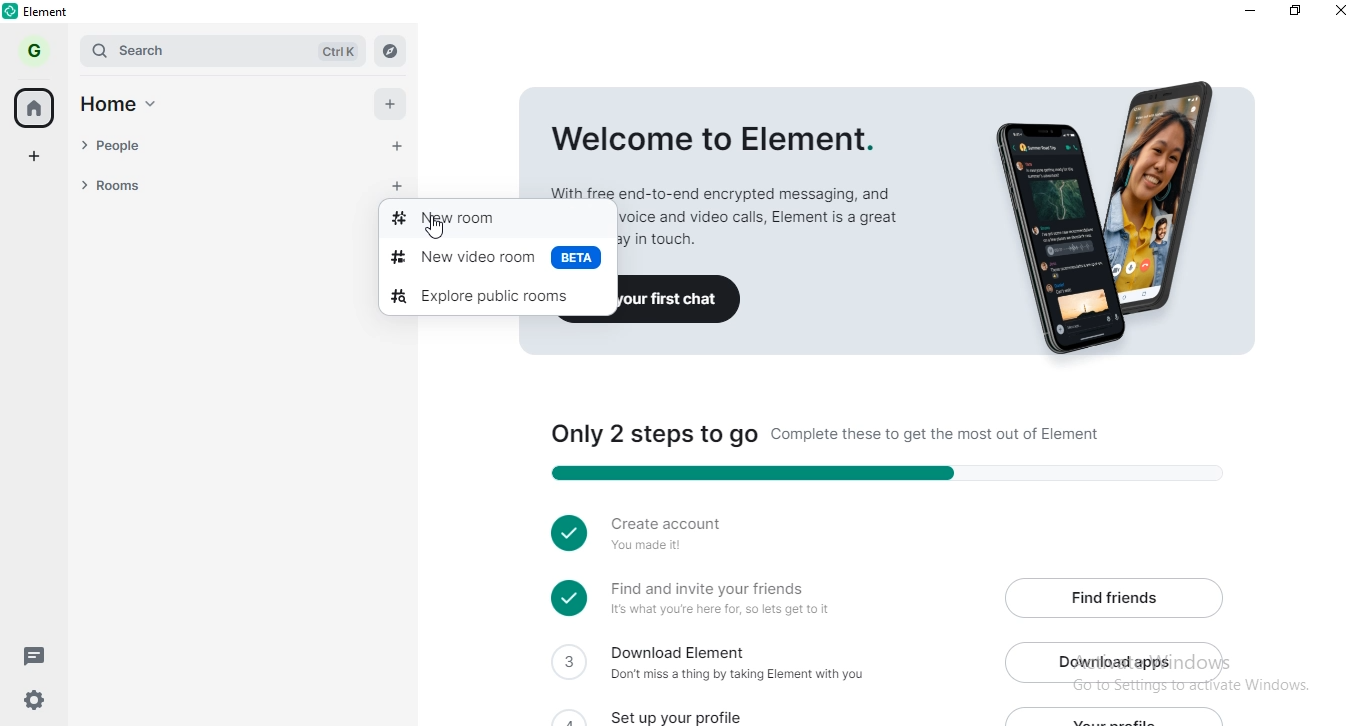  I want to click on download elements, so click(722, 666).